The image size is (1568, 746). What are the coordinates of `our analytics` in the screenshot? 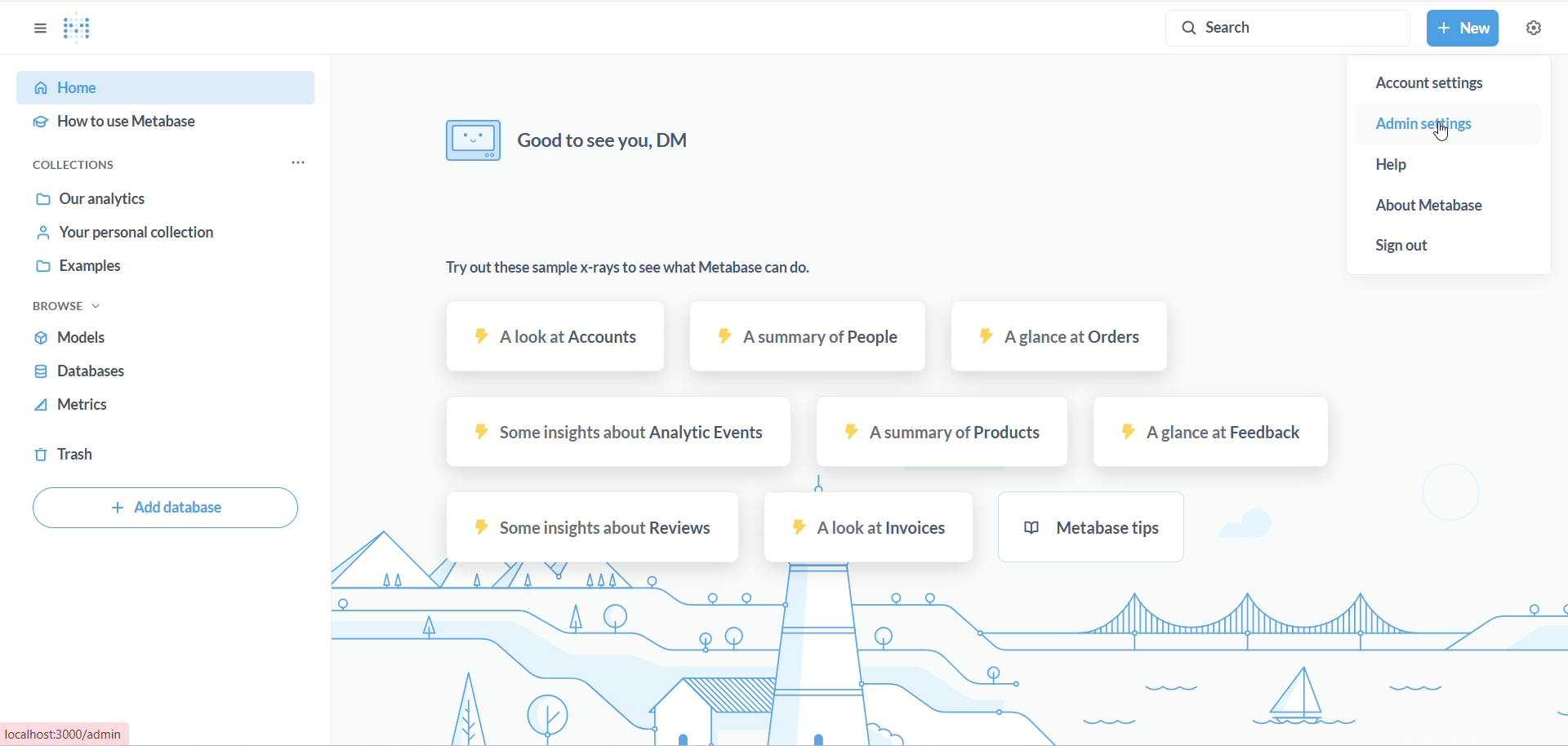 It's located at (96, 200).